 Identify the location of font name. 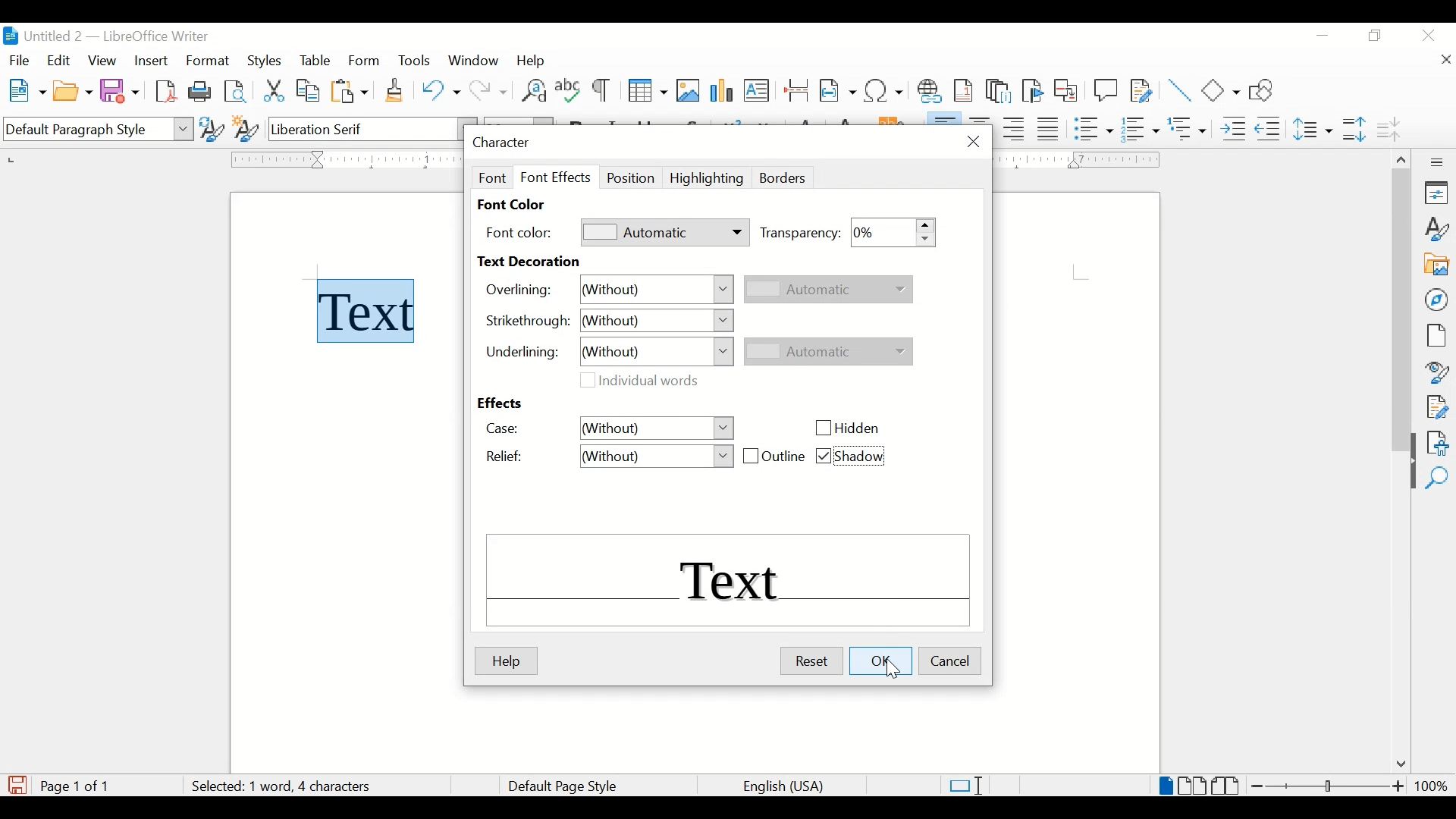
(374, 128).